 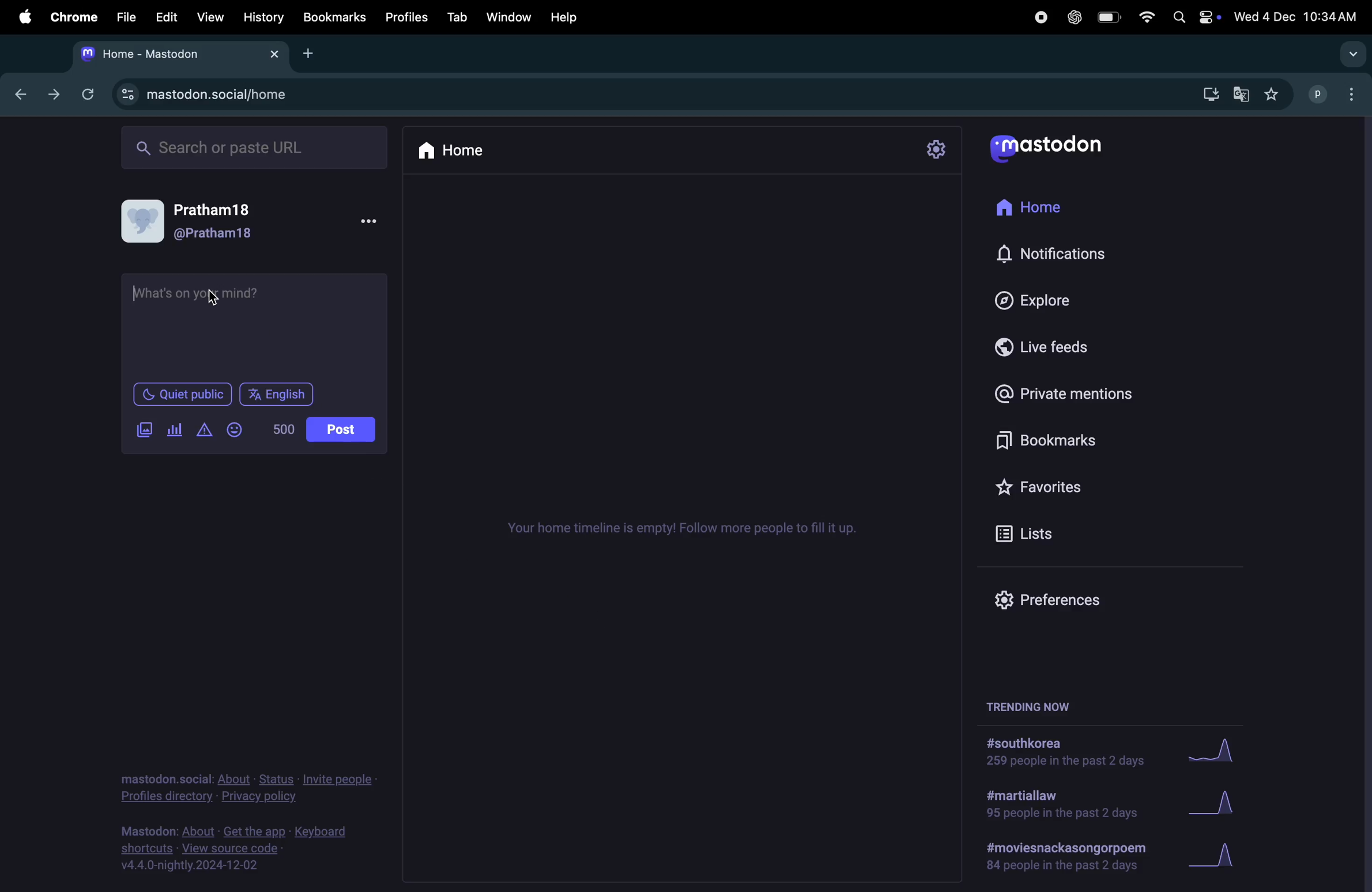 I want to click on privacy and policy, so click(x=246, y=785).